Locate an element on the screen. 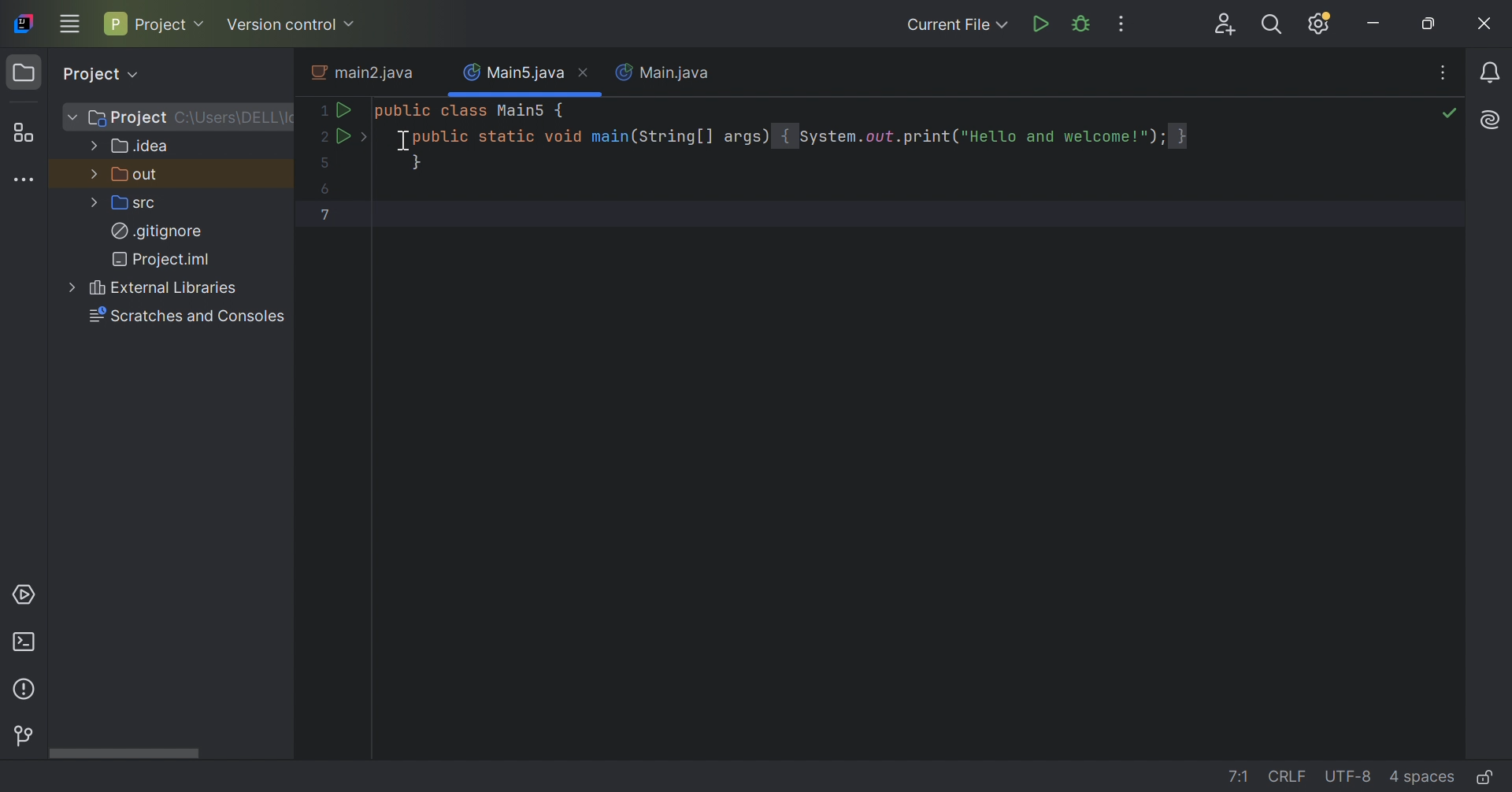  7 is located at coordinates (324, 266).